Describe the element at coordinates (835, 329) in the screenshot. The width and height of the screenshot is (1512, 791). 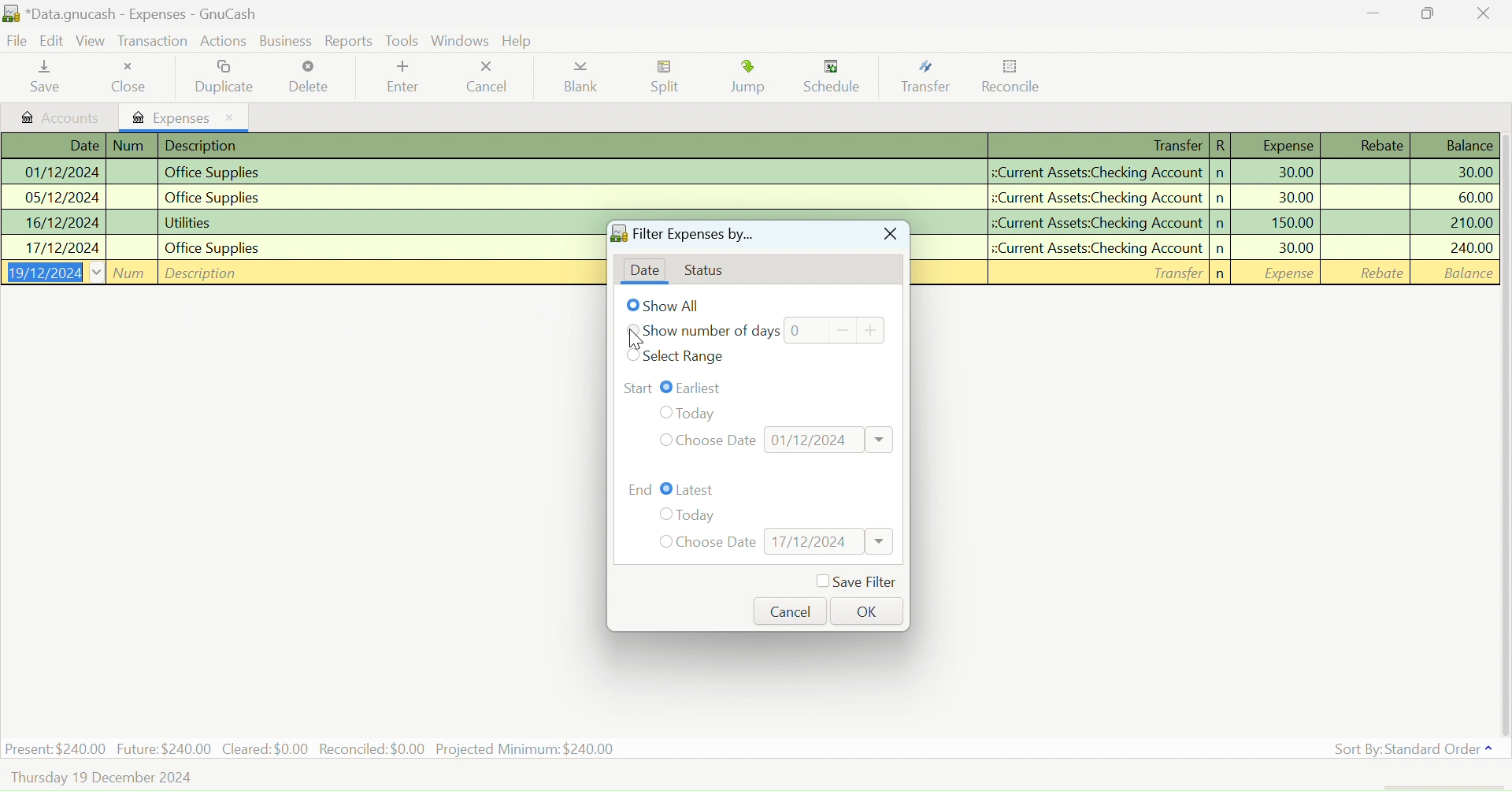
I see `Number of days counter` at that location.